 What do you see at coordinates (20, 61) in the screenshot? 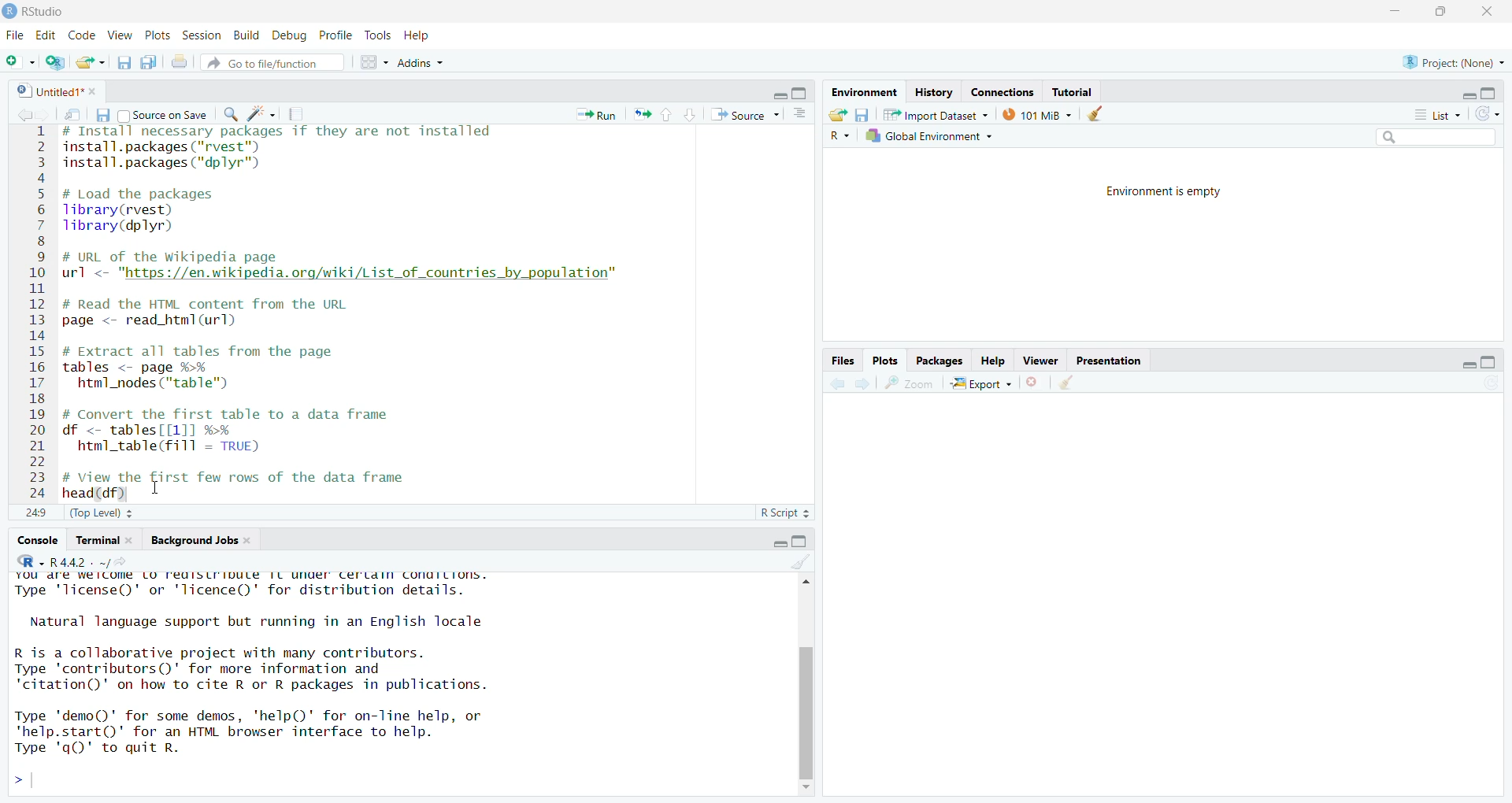
I see `new file` at bounding box center [20, 61].